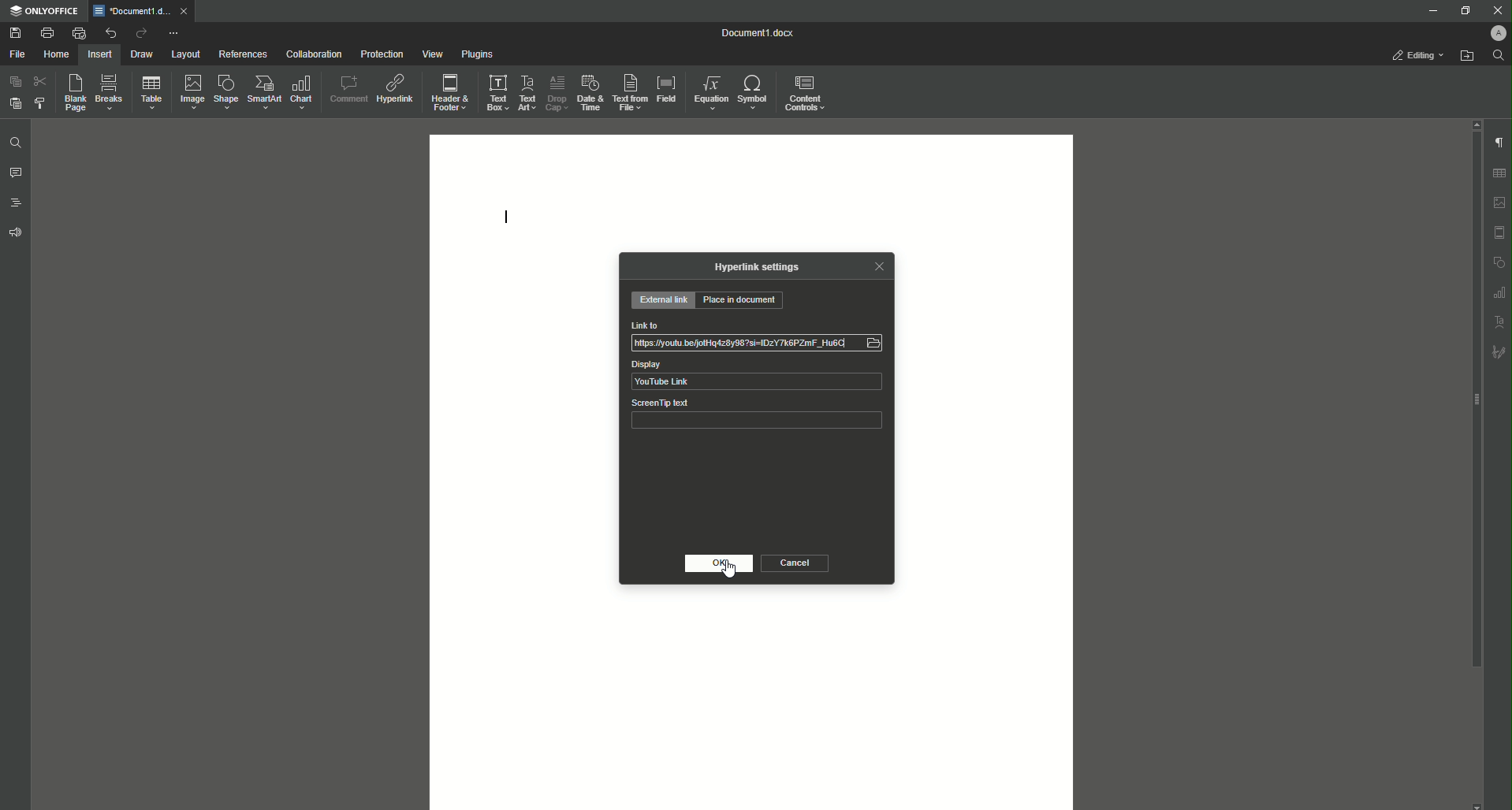  I want to click on Hyperlink, so click(396, 91).